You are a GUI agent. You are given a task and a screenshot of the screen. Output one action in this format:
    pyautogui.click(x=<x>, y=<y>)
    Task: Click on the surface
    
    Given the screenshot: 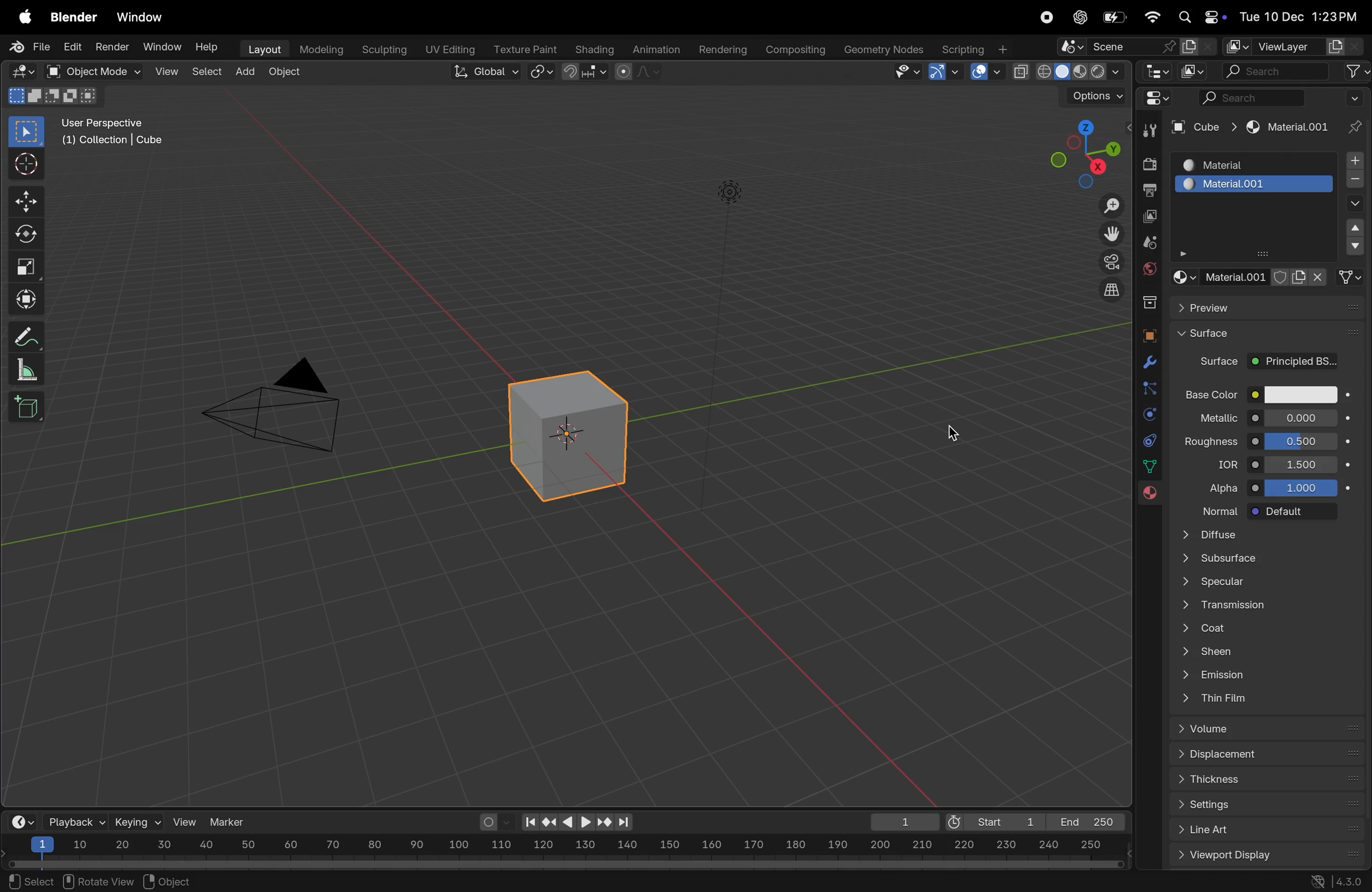 What is the action you would take?
    pyautogui.click(x=1270, y=335)
    